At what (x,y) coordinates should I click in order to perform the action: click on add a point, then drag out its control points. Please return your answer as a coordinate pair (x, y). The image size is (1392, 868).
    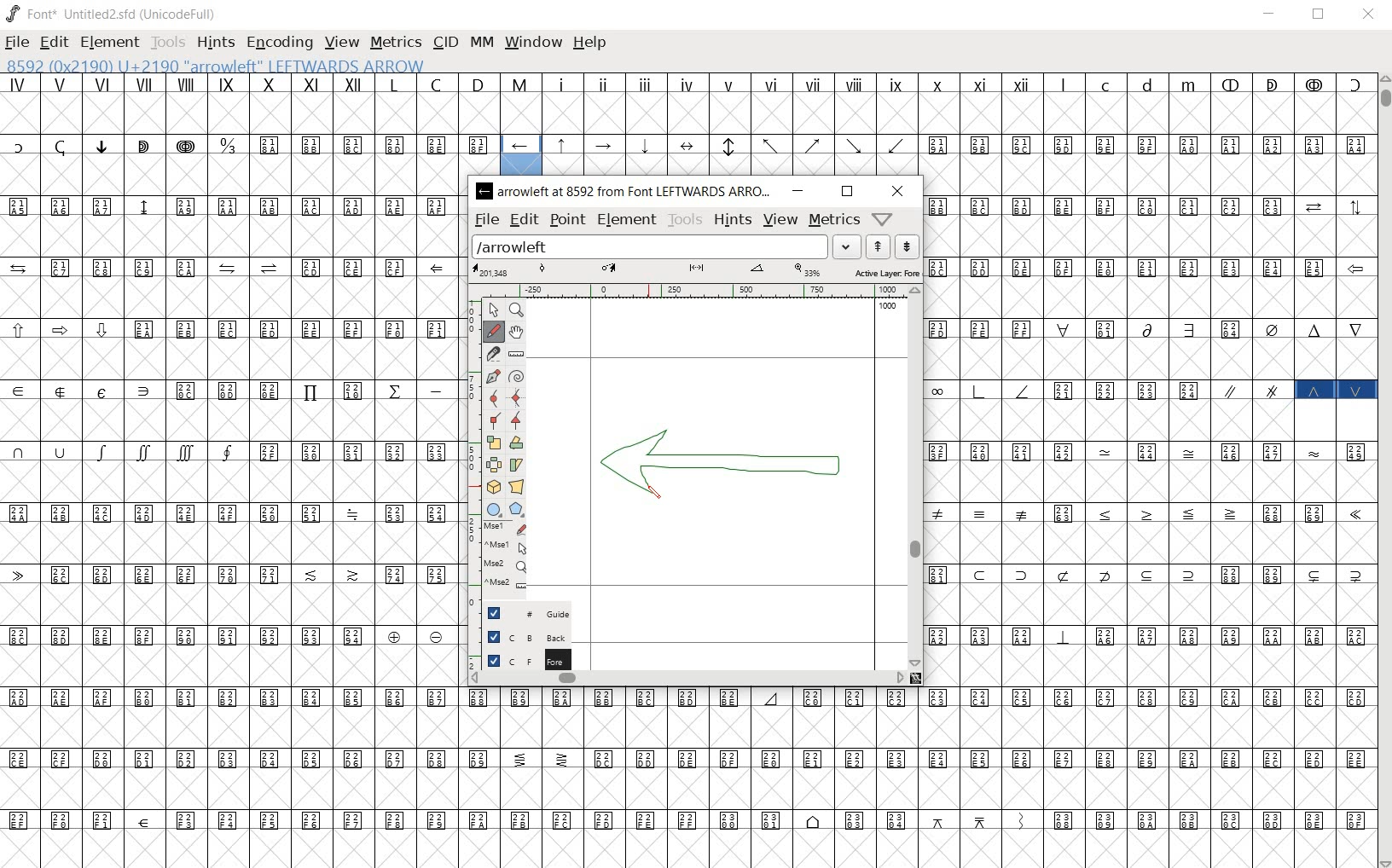
    Looking at the image, I should click on (491, 374).